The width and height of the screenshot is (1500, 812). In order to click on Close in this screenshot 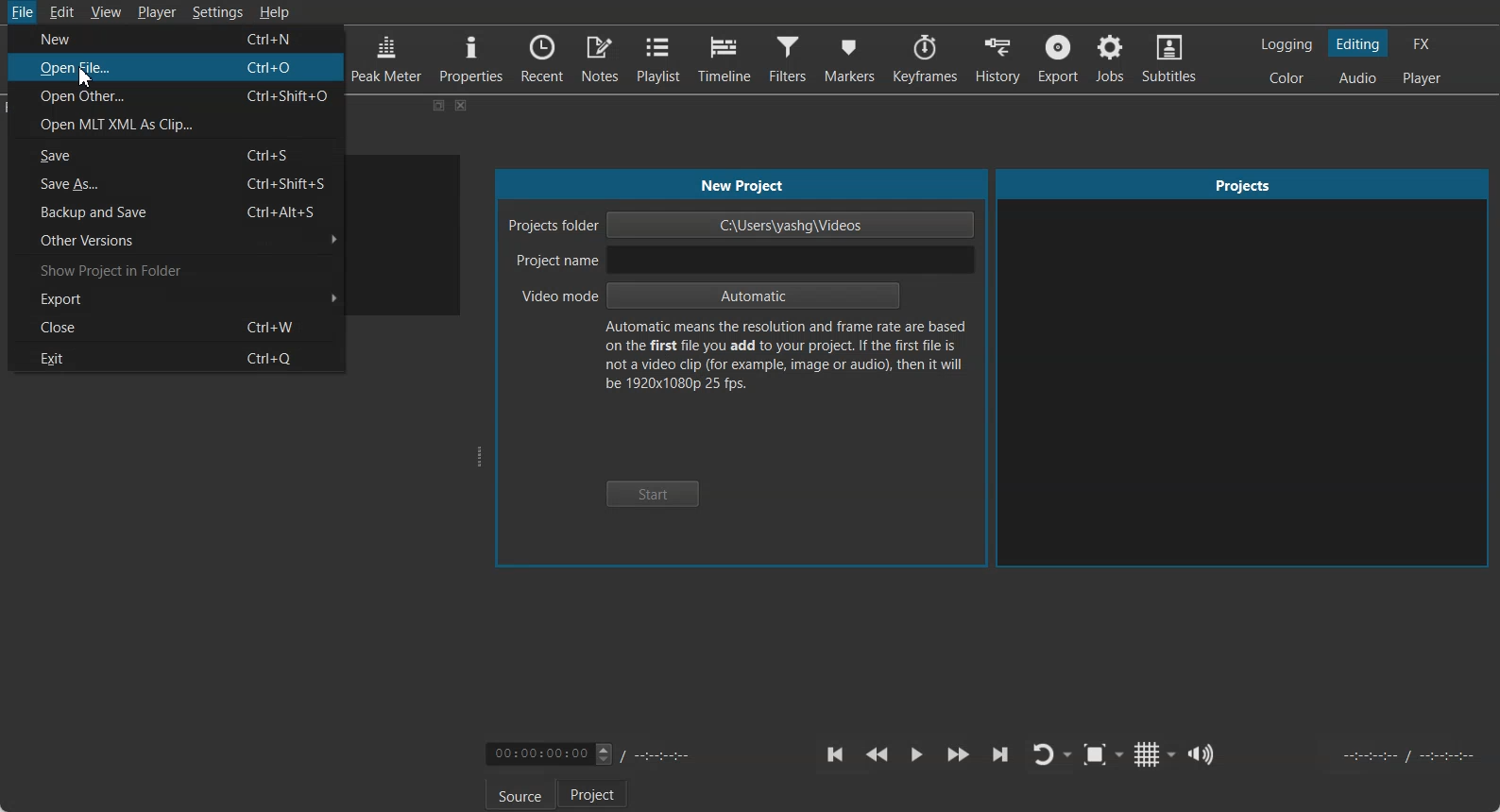, I will do `click(106, 326)`.